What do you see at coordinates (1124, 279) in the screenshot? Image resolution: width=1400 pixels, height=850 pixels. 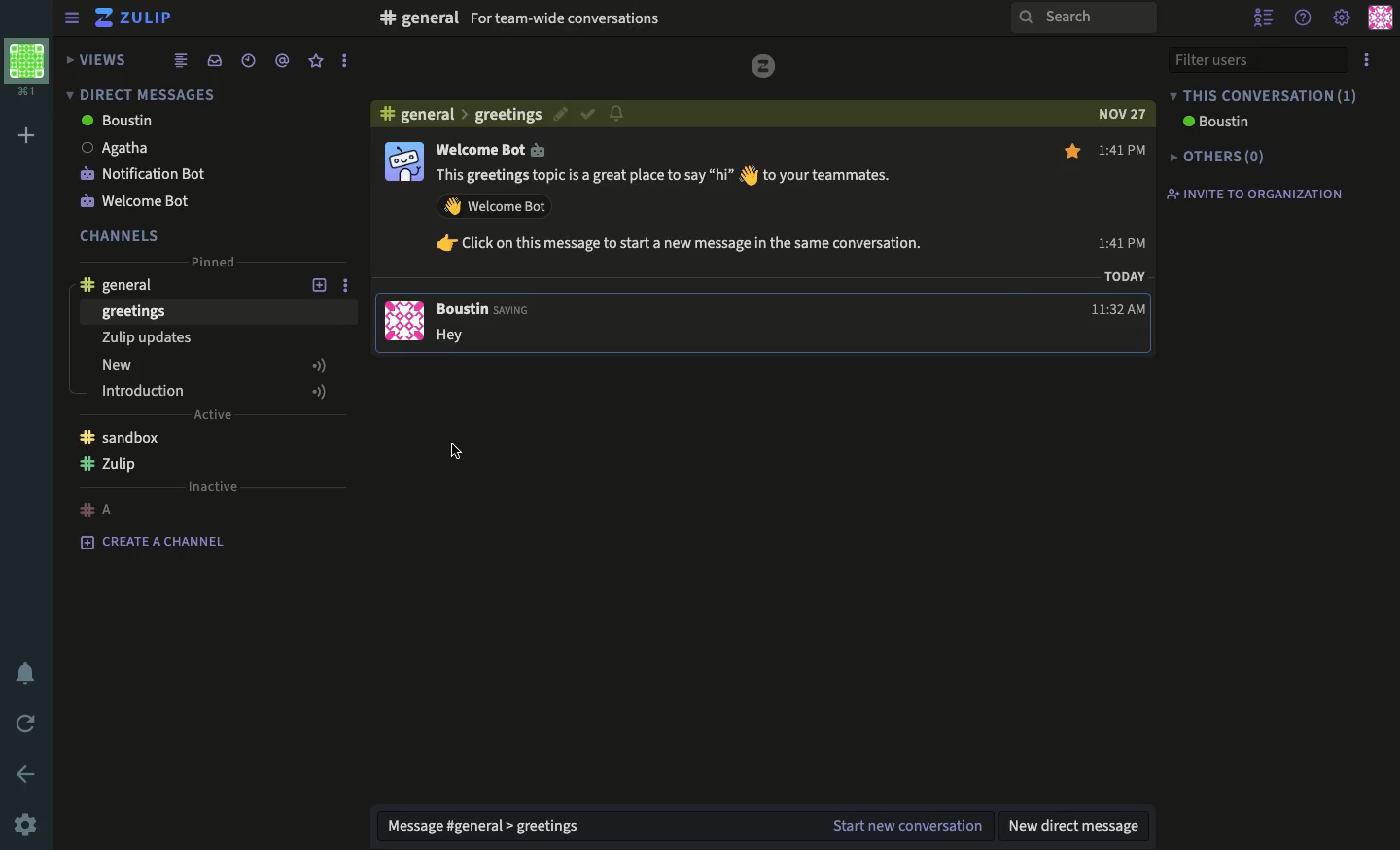 I see `TODAY` at bounding box center [1124, 279].